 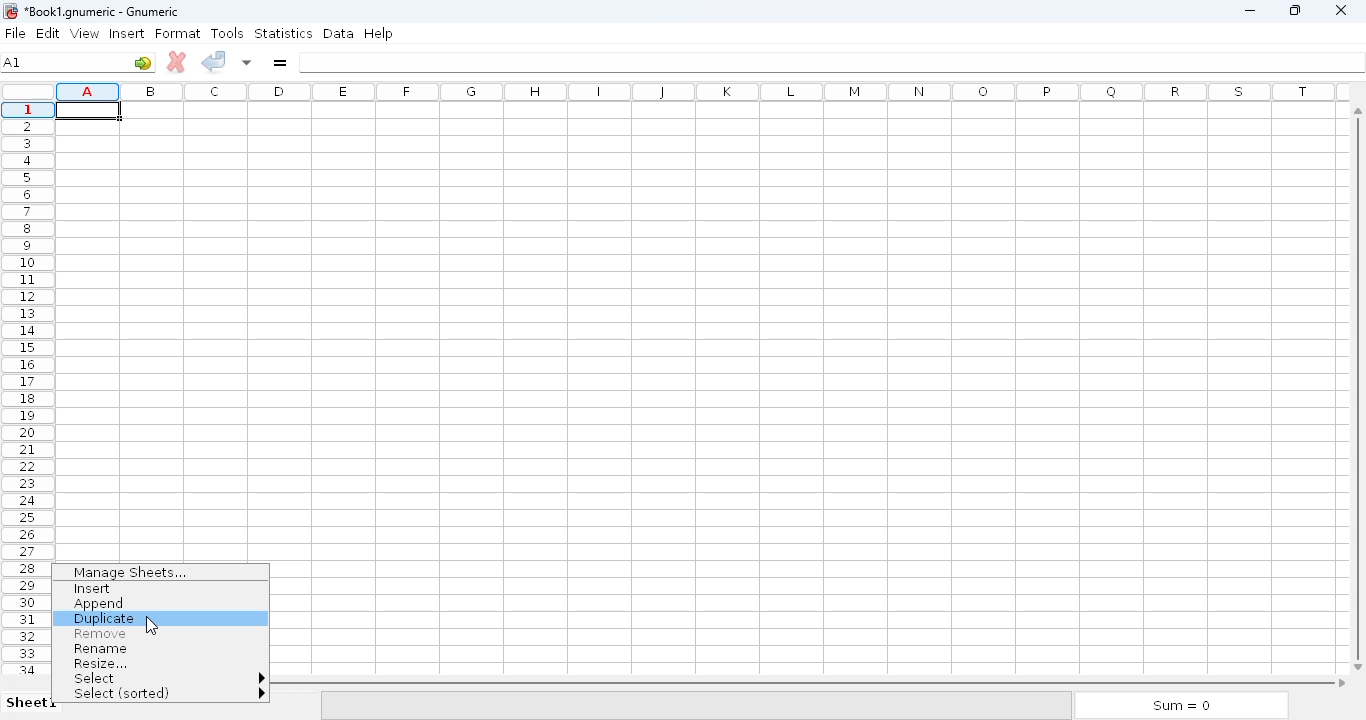 I want to click on accept change, so click(x=214, y=61).